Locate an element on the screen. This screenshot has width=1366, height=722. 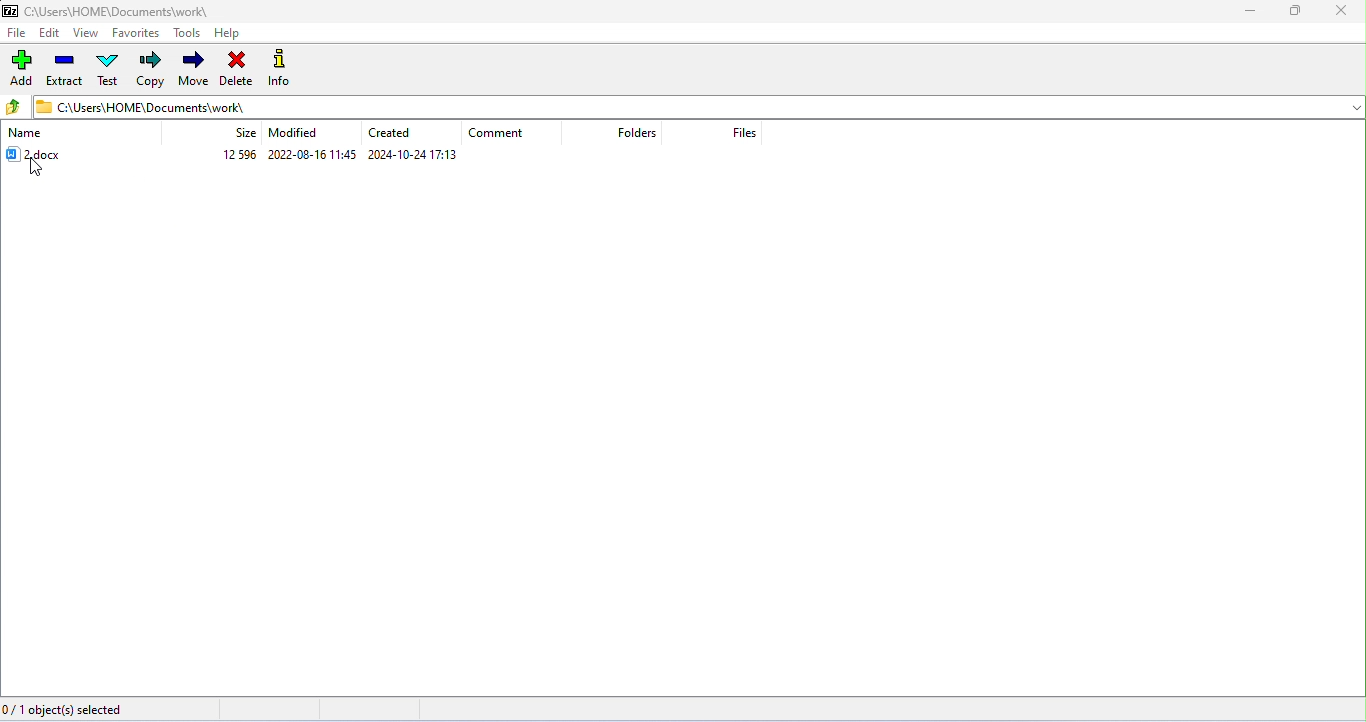
7z C:\Users\HOME\Documents\work\ is located at coordinates (106, 10).